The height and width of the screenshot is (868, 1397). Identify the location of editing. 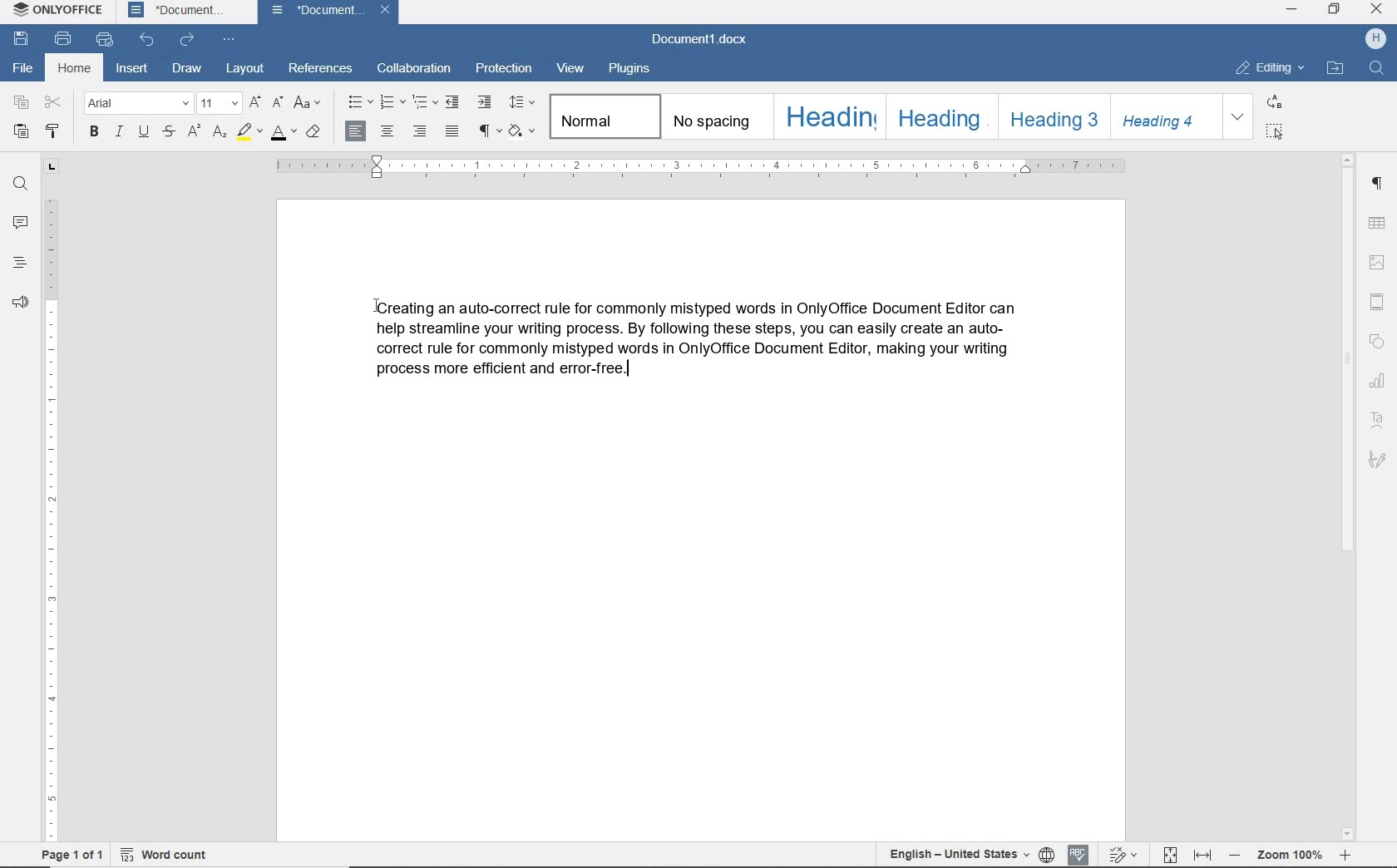
(1269, 68).